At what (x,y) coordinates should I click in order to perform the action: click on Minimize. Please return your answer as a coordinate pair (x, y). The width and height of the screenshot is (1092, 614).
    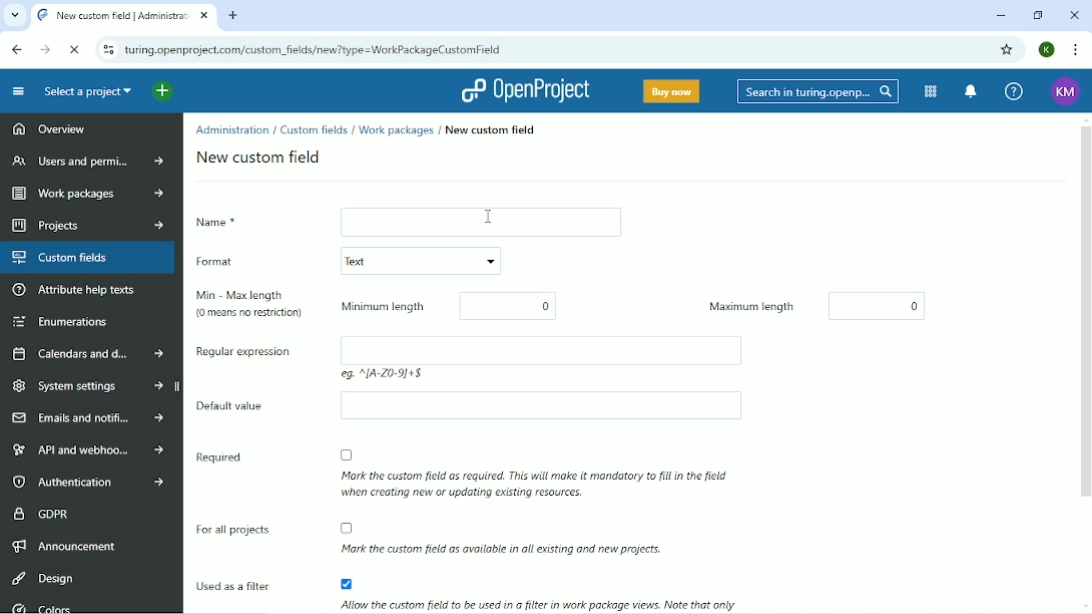
    Looking at the image, I should click on (1001, 16).